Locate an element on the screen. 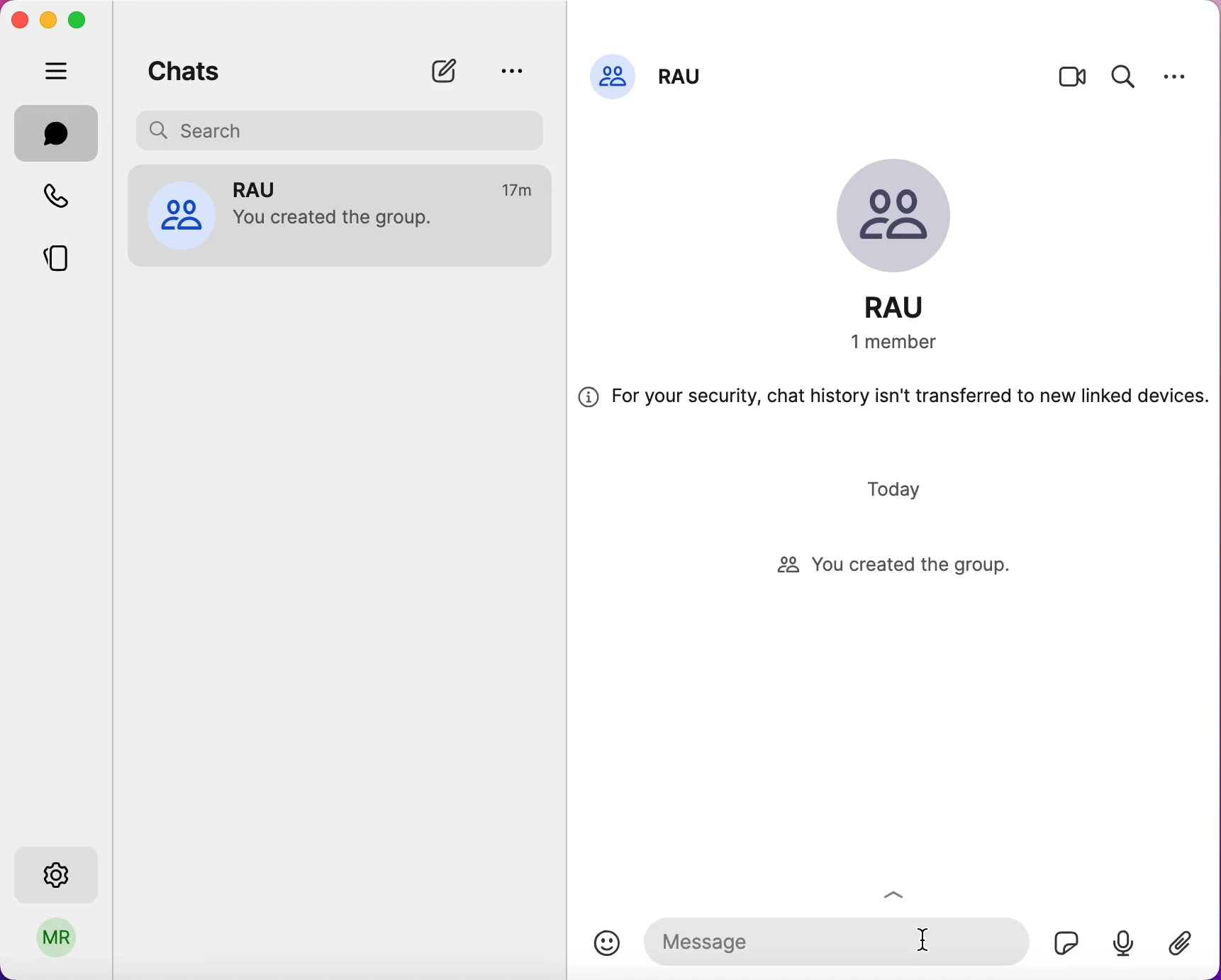 The width and height of the screenshot is (1221, 980). text cursor is located at coordinates (927, 941).